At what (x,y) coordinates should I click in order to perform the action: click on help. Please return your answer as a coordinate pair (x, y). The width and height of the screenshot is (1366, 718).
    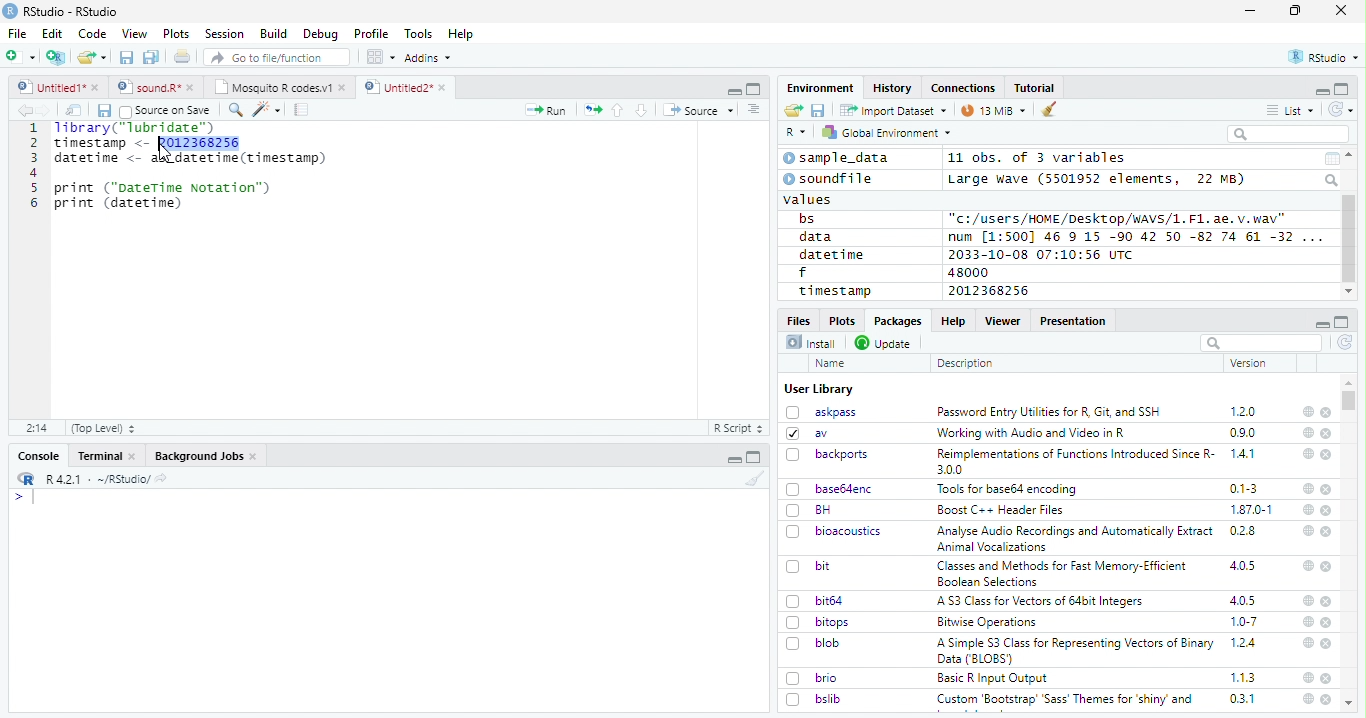
    Looking at the image, I should click on (1307, 453).